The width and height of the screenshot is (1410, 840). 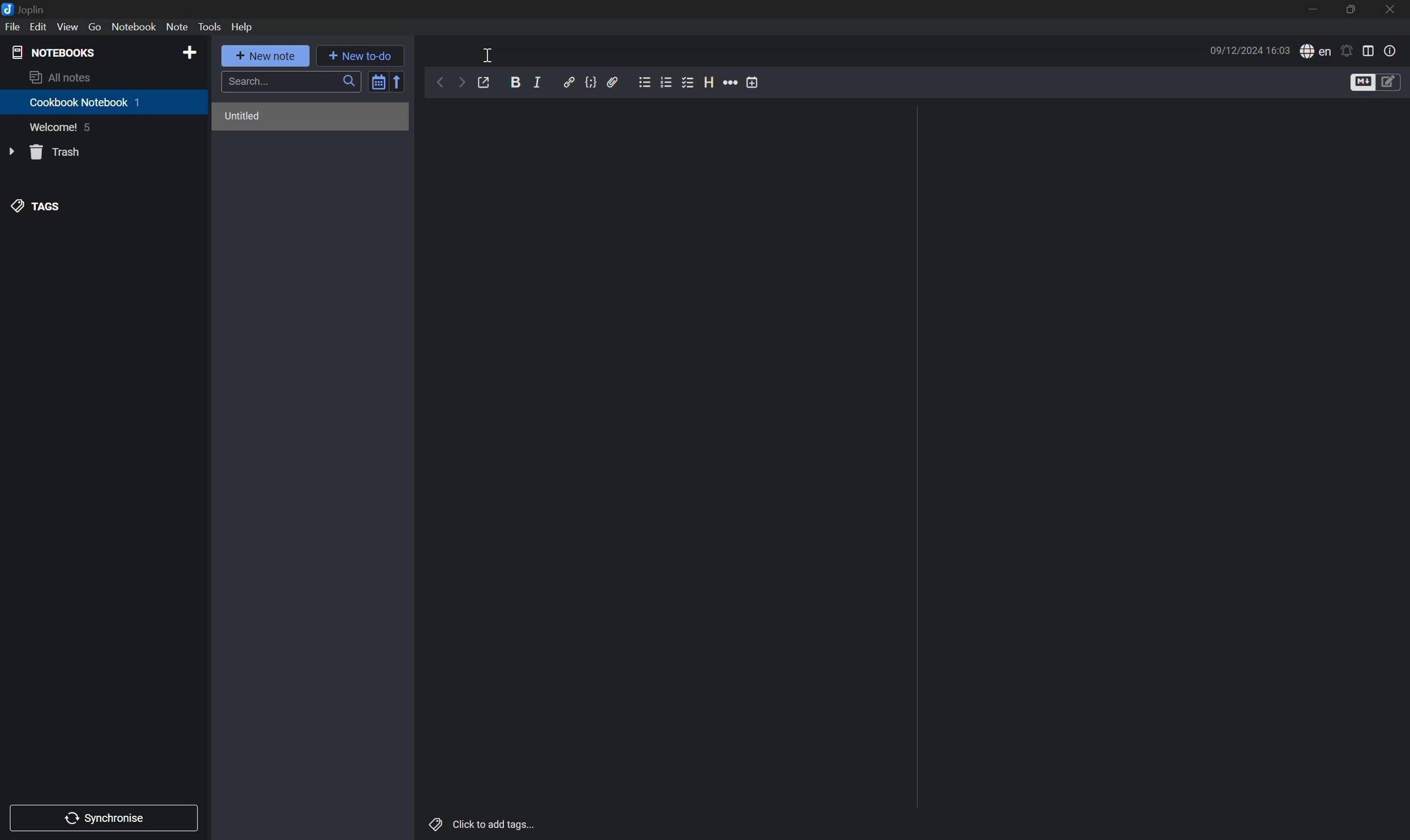 I want to click on close, so click(x=1390, y=7).